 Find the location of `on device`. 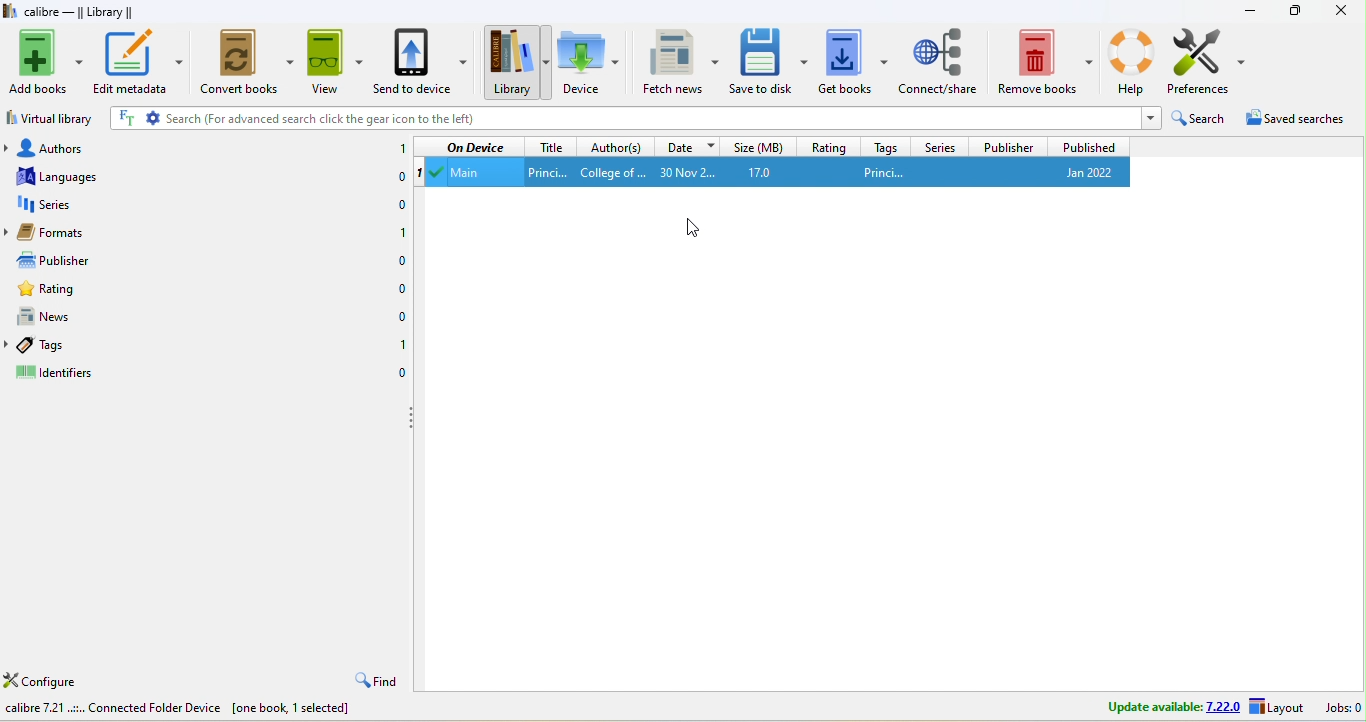

on device is located at coordinates (475, 147).